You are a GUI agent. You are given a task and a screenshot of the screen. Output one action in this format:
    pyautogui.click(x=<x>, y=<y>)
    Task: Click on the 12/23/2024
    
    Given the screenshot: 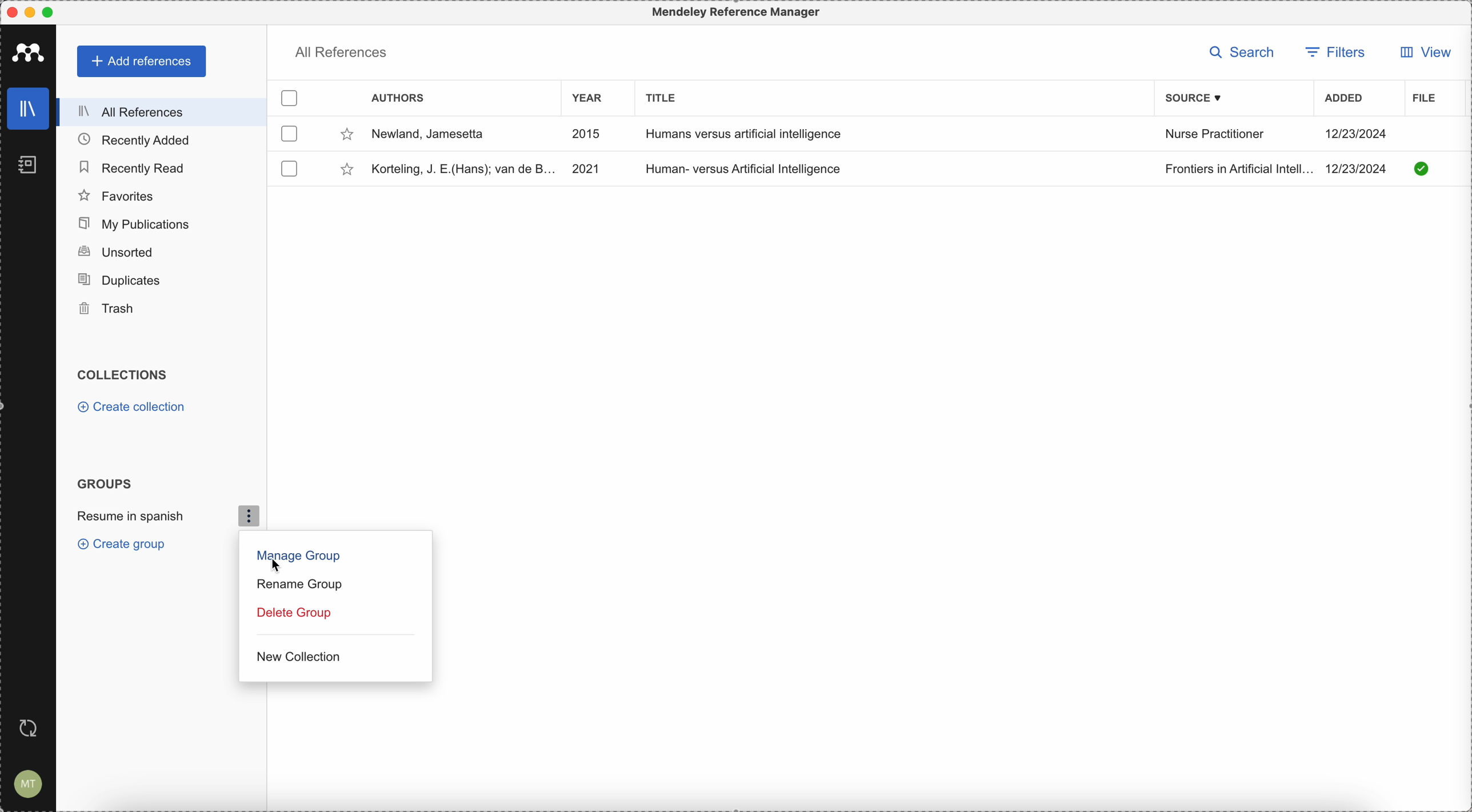 What is the action you would take?
    pyautogui.click(x=1360, y=169)
    